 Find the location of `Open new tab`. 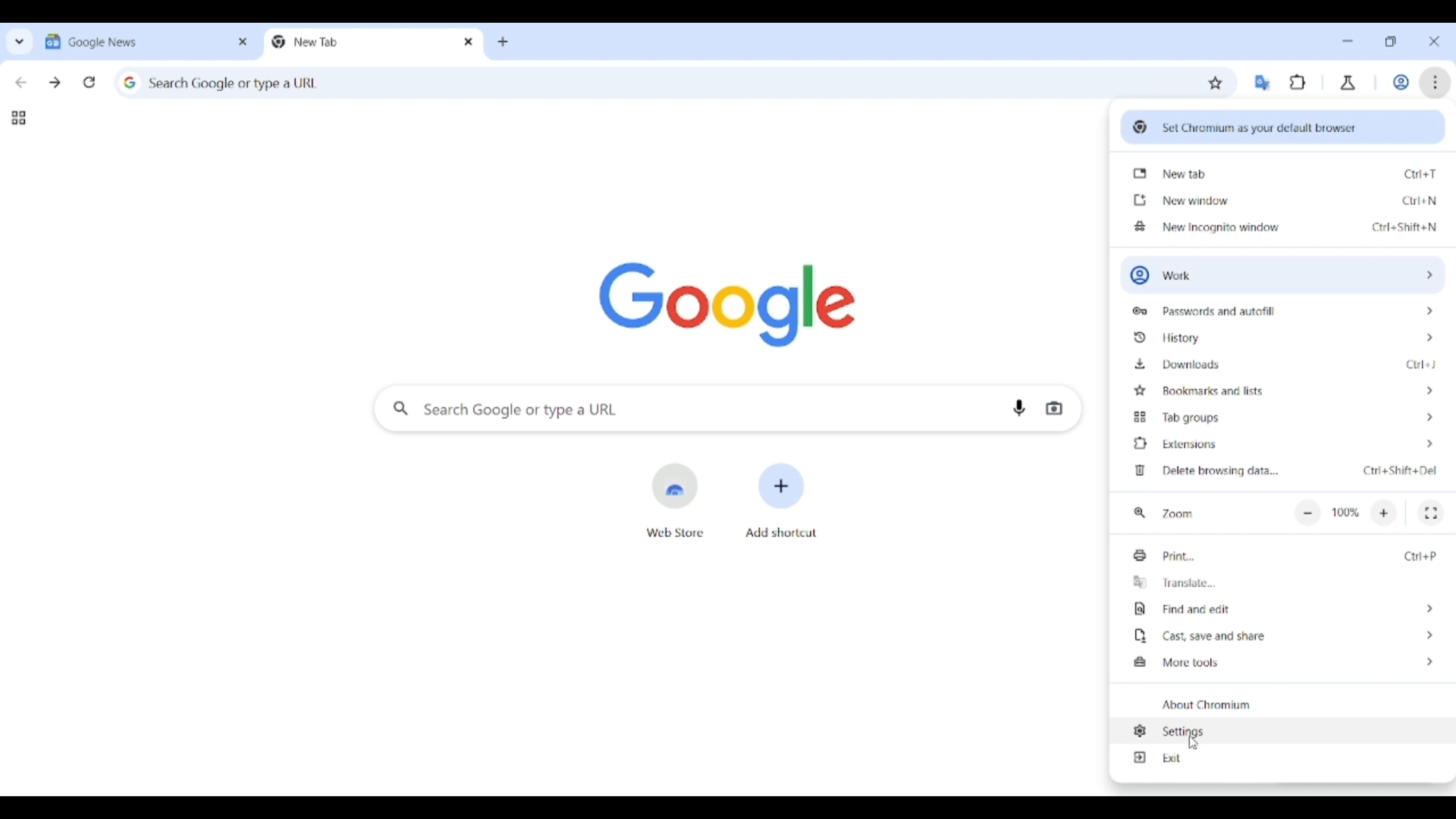

Open new tab is located at coordinates (1282, 173).